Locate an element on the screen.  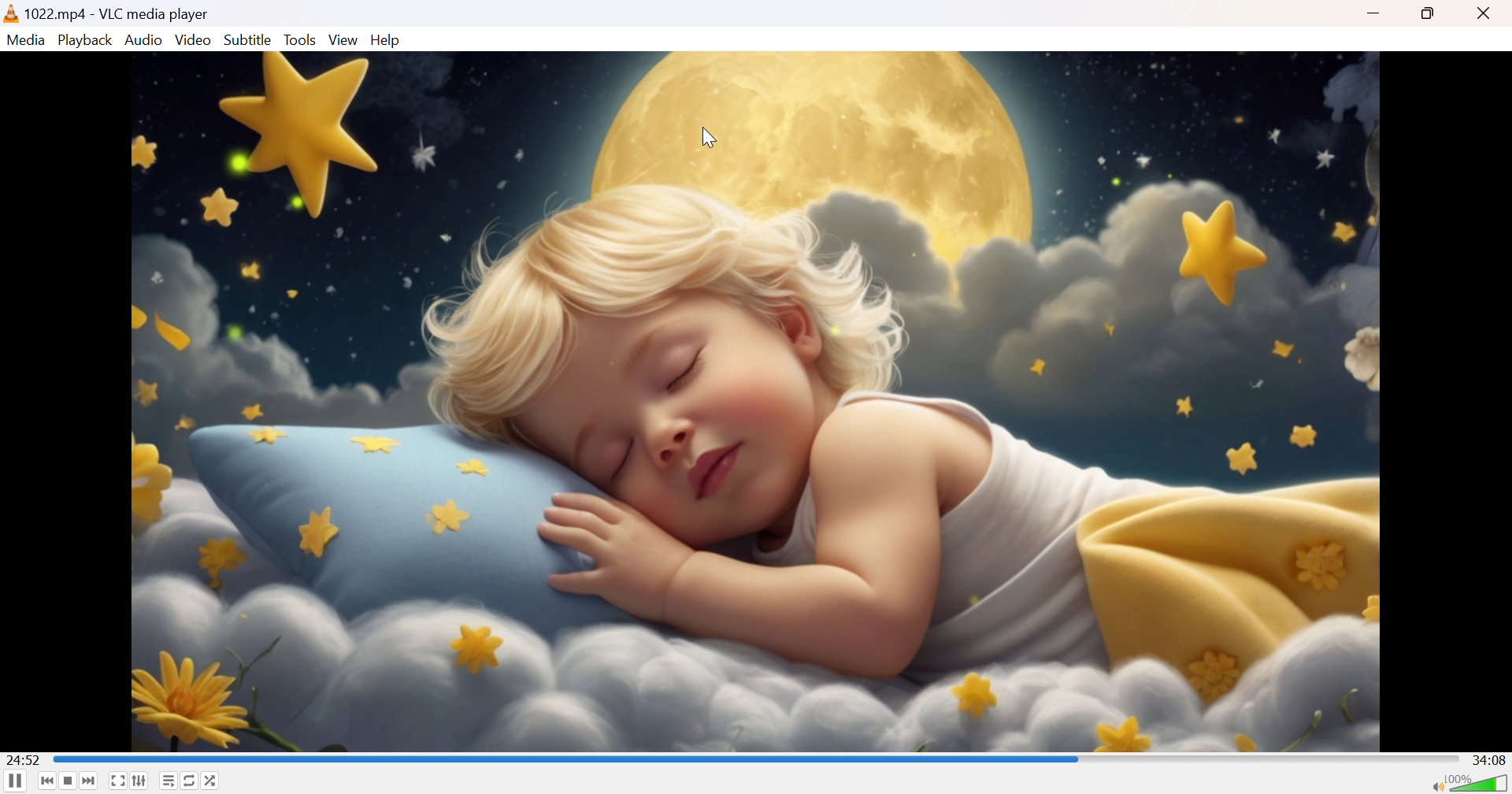
Previous media in the playlist, skip backward when held is located at coordinates (48, 782).